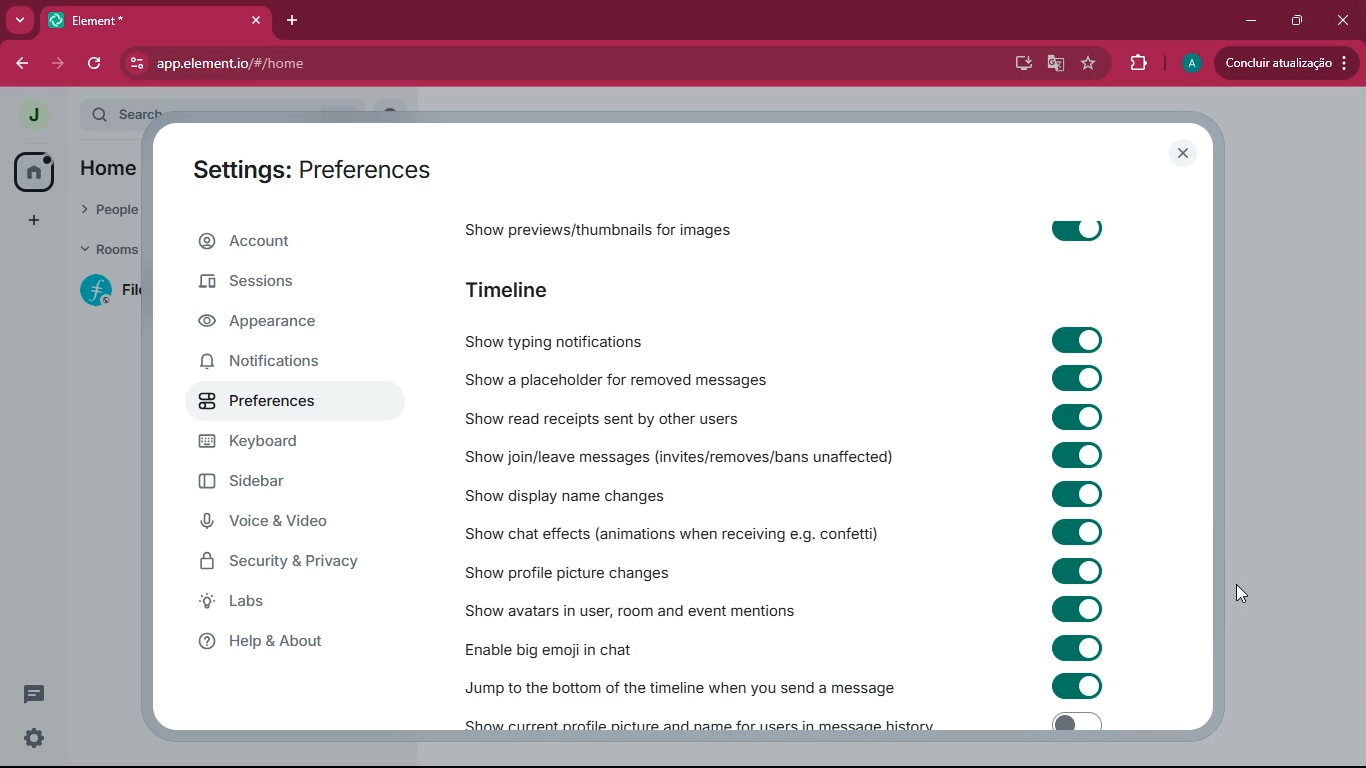  I want to click on toggle on , so click(1074, 227).